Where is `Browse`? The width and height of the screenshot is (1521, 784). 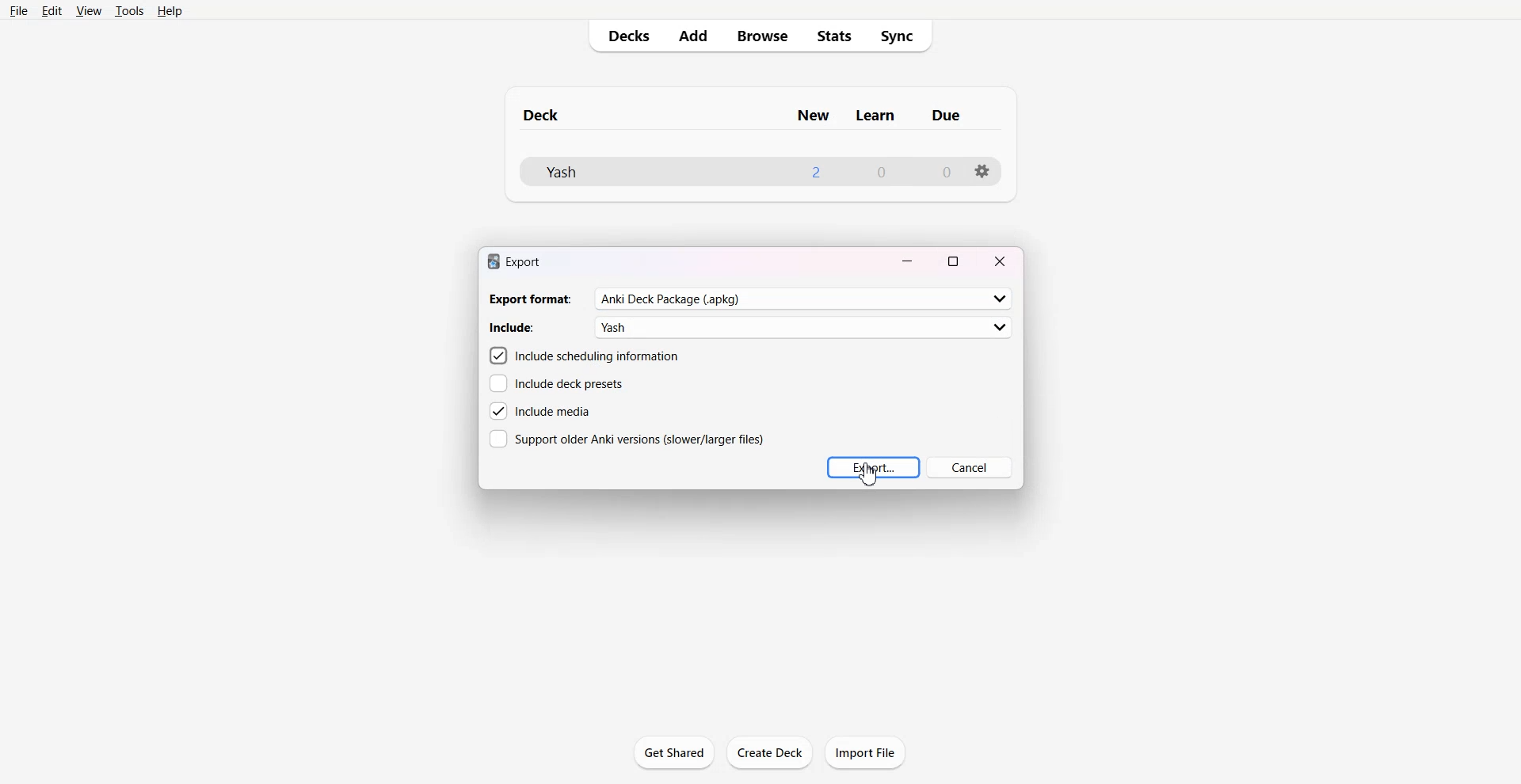
Browse is located at coordinates (760, 36).